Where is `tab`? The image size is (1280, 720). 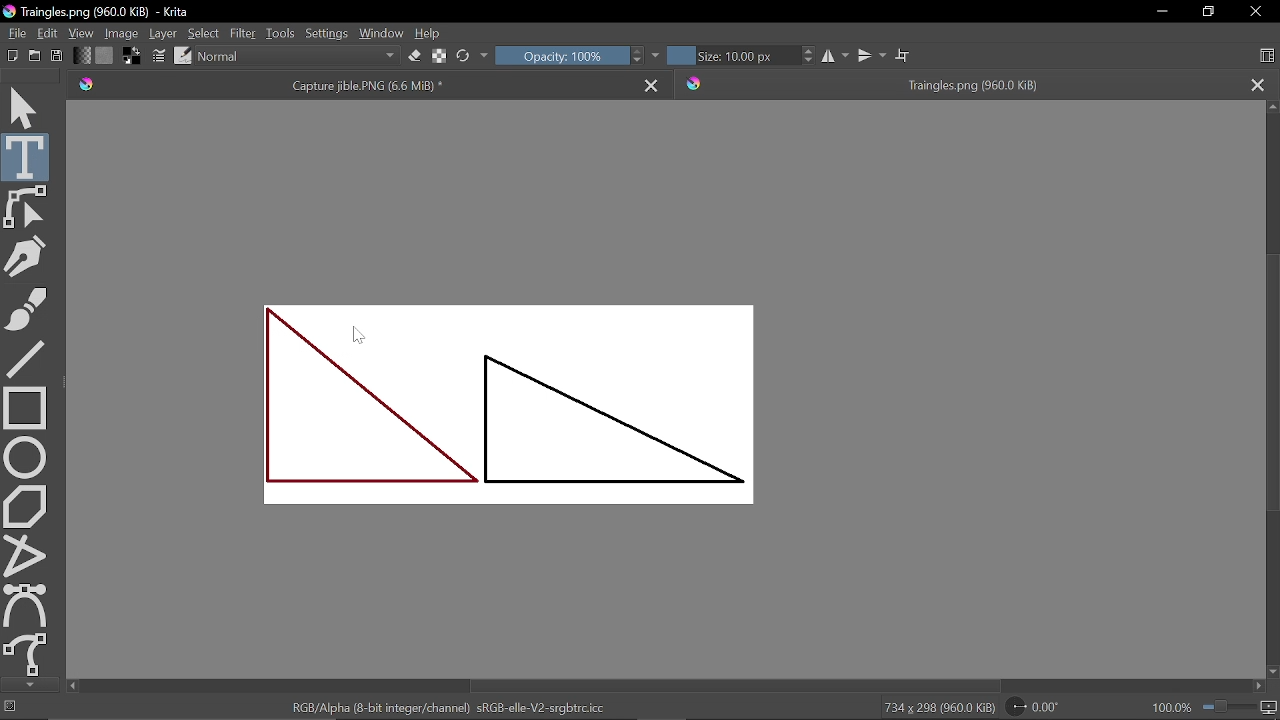 tab is located at coordinates (958, 83).